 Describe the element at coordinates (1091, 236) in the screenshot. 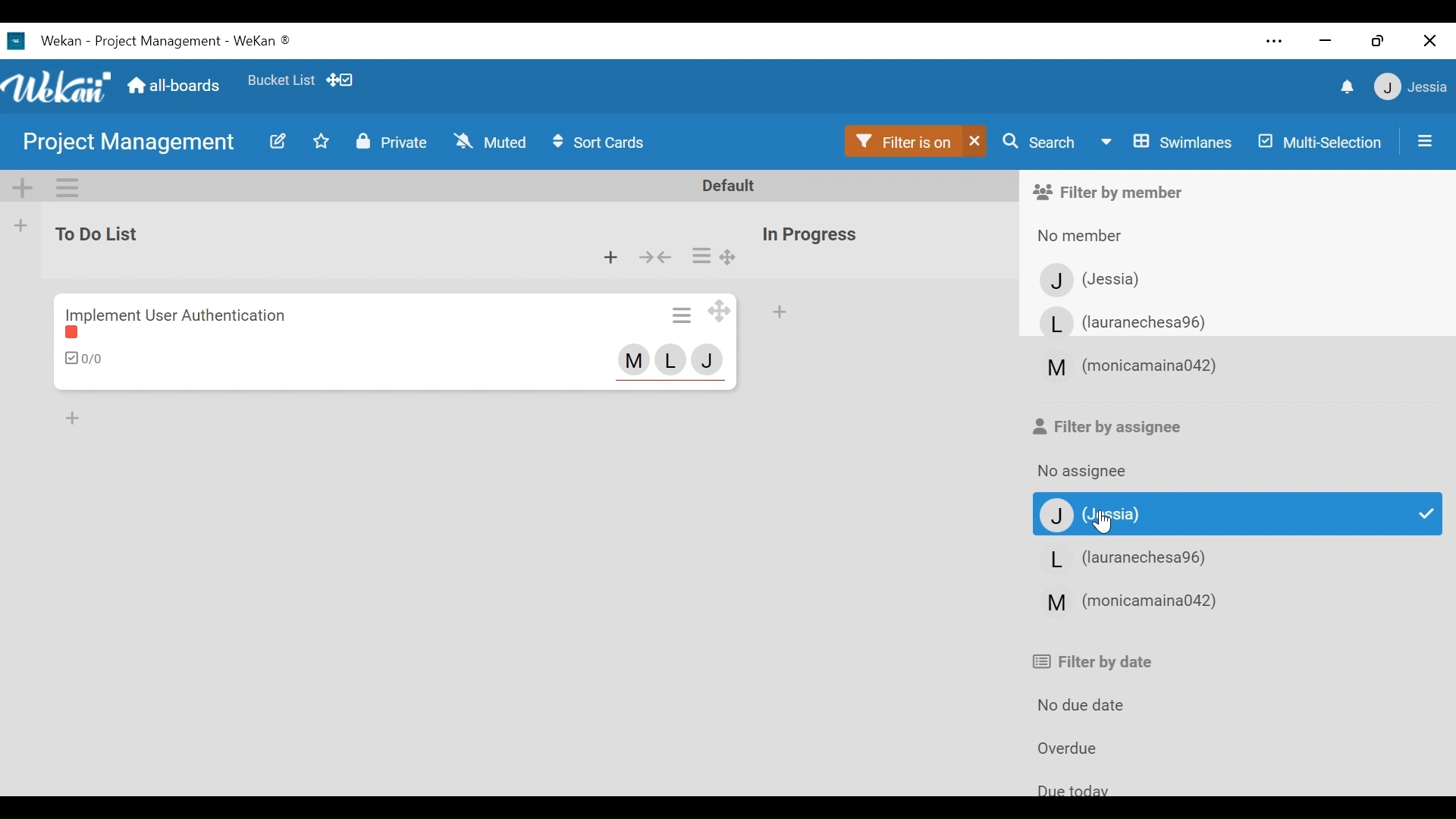

I see `No member` at that location.